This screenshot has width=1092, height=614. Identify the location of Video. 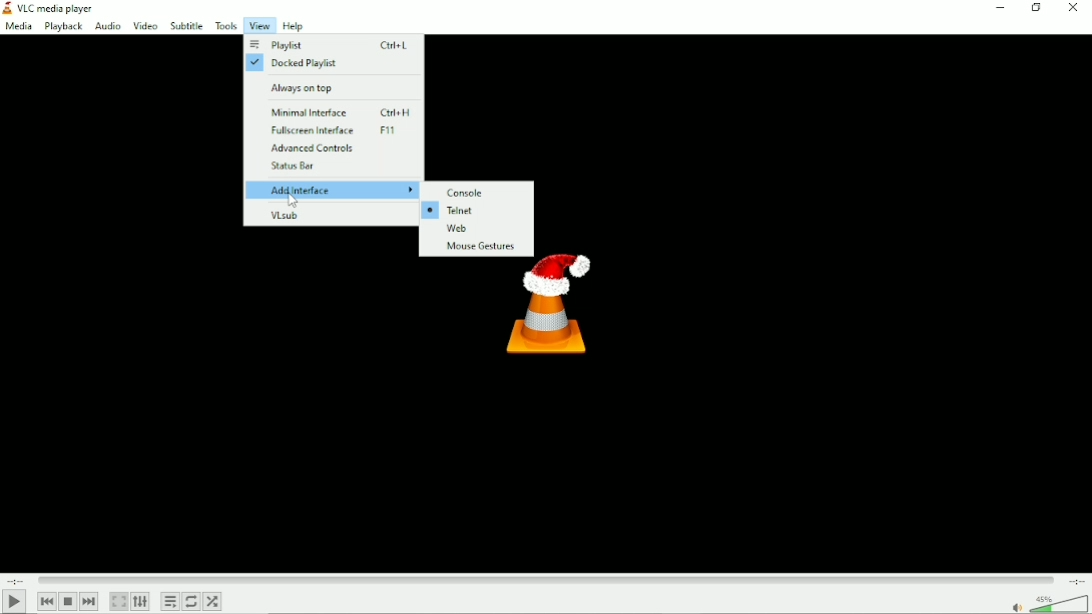
(145, 25).